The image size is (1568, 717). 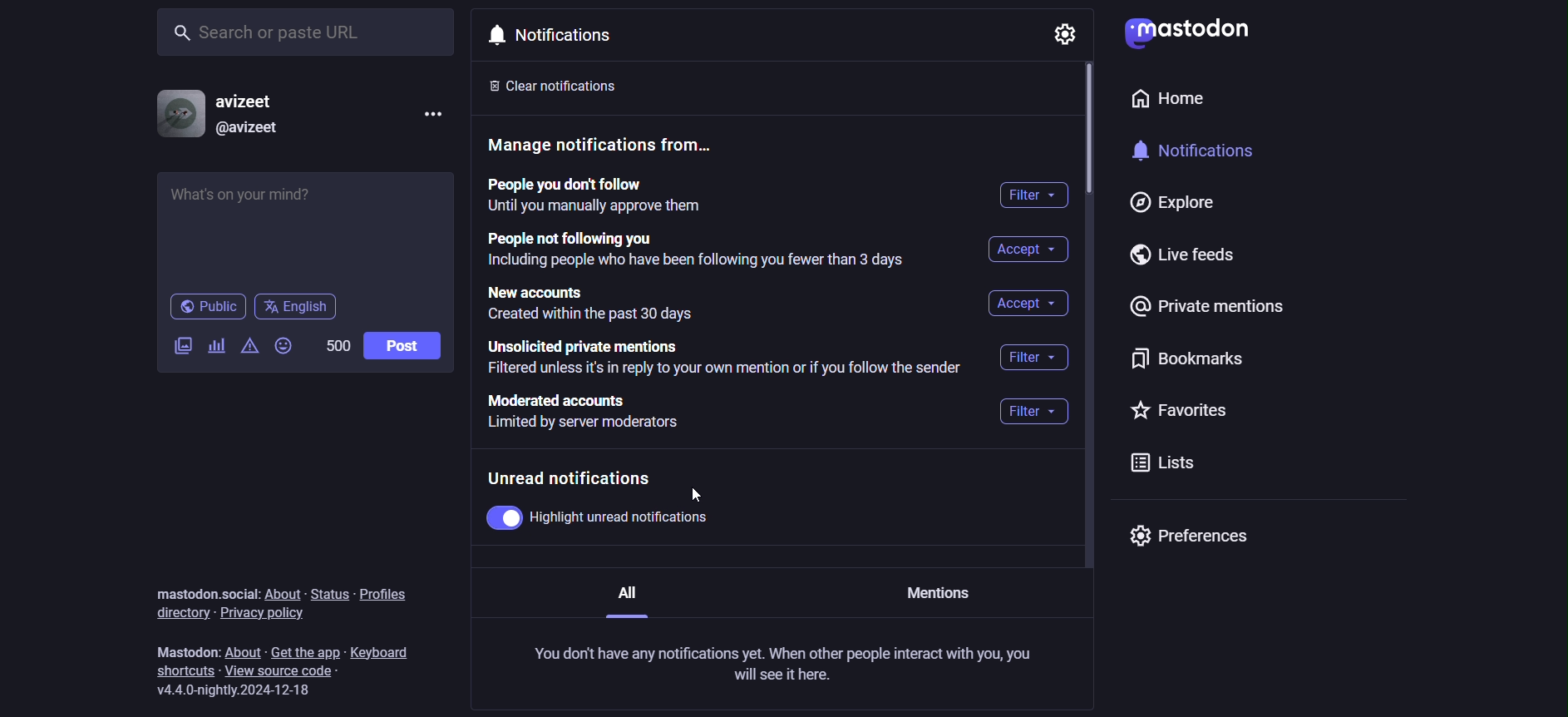 What do you see at coordinates (1028, 304) in the screenshot?
I see `accept` at bounding box center [1028, 304].